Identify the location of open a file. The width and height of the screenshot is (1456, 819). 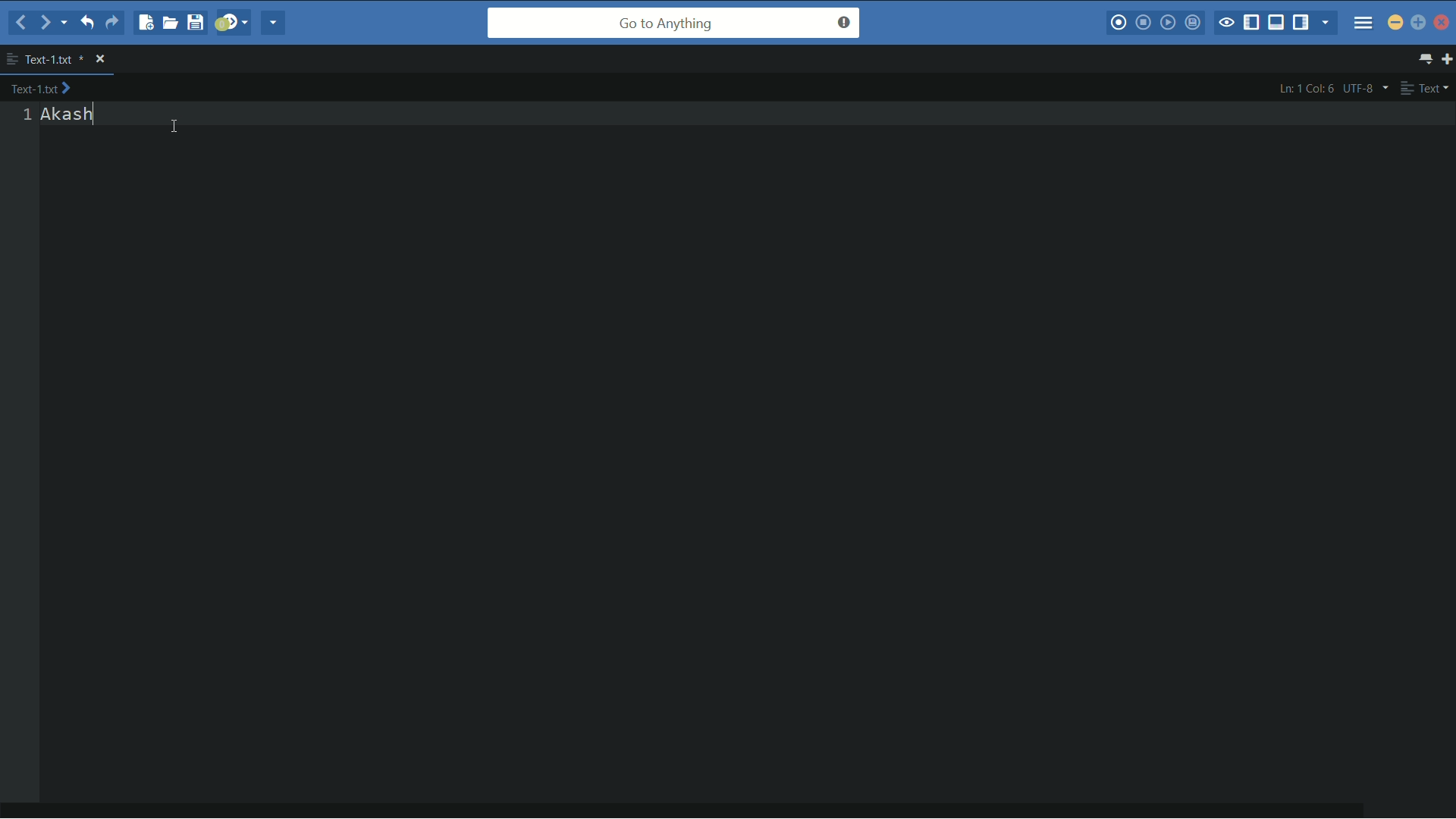
(170, 22).